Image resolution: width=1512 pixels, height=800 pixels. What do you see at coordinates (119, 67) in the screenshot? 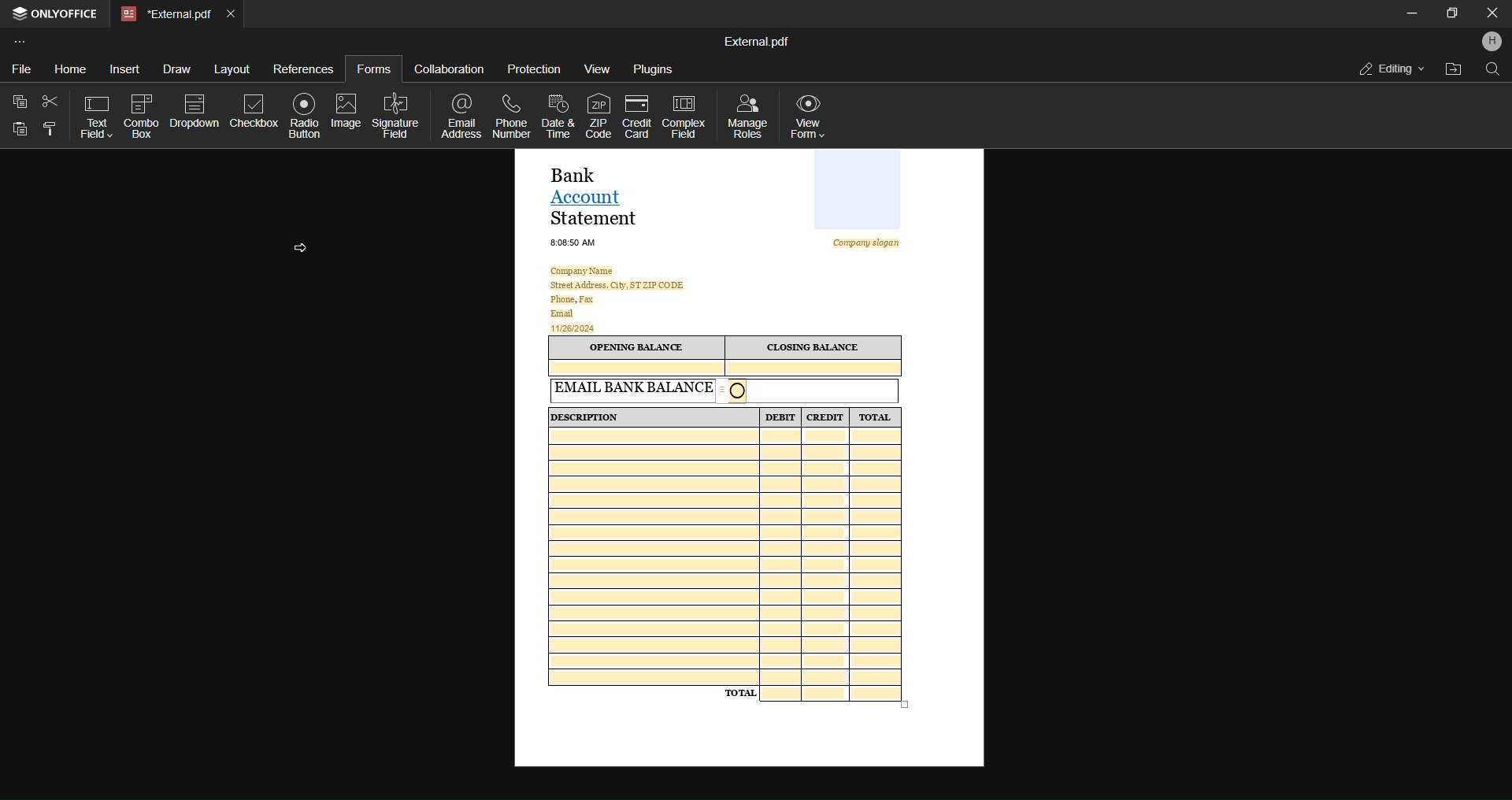
I see `insert` at bounding box center [119, 67].